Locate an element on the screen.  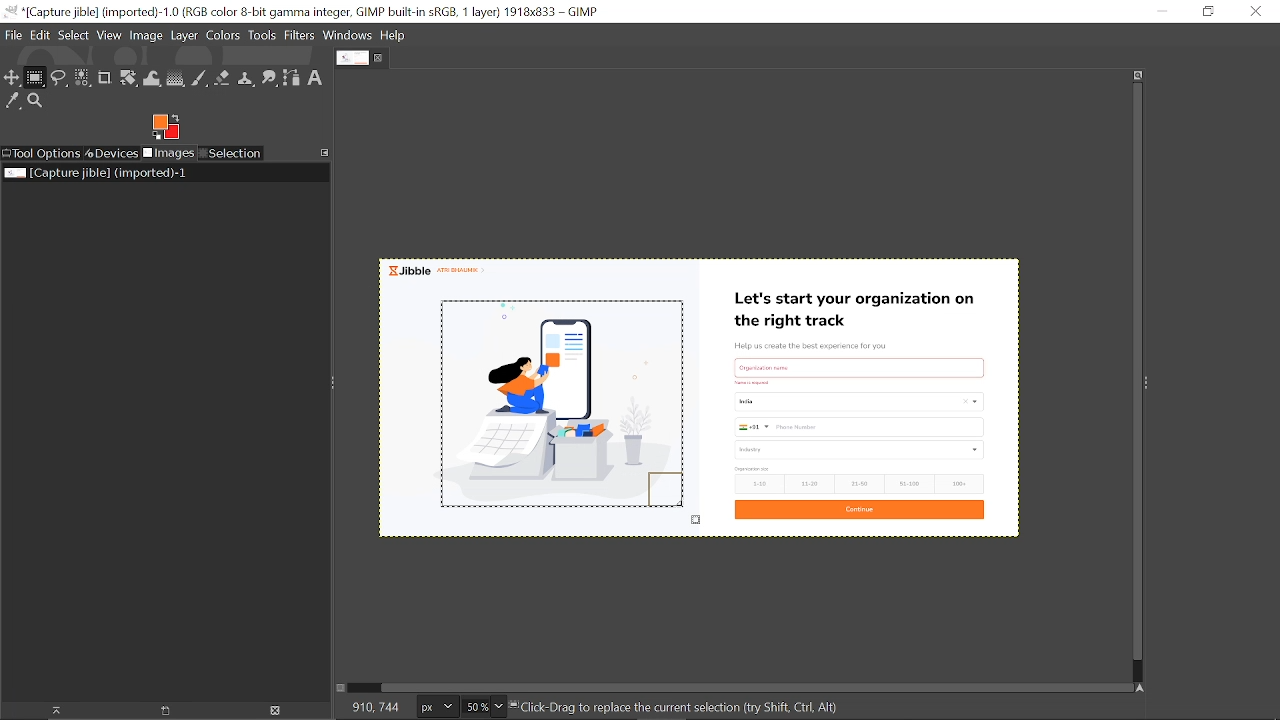
Text tool is located at coordinates (316, 77).